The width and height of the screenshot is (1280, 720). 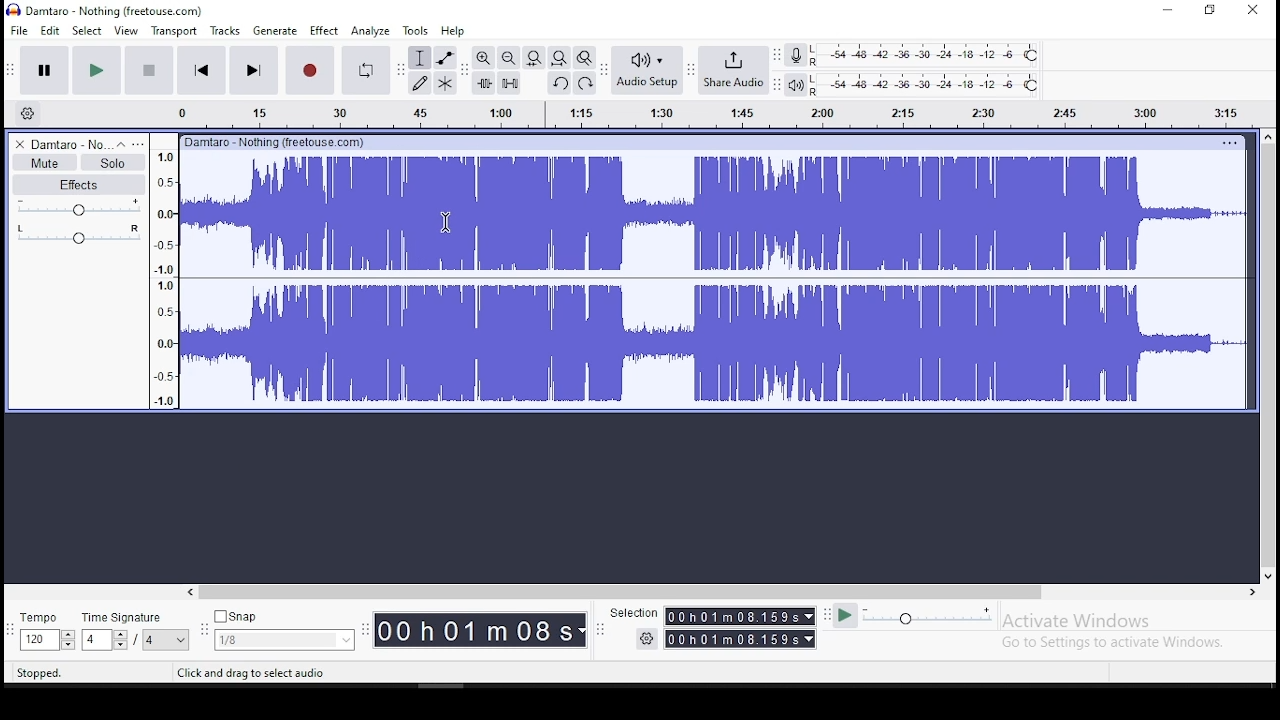 What do you see at coordinates (97, 69) in the screenshot?
I see `play` at bounding box center [97, 69].